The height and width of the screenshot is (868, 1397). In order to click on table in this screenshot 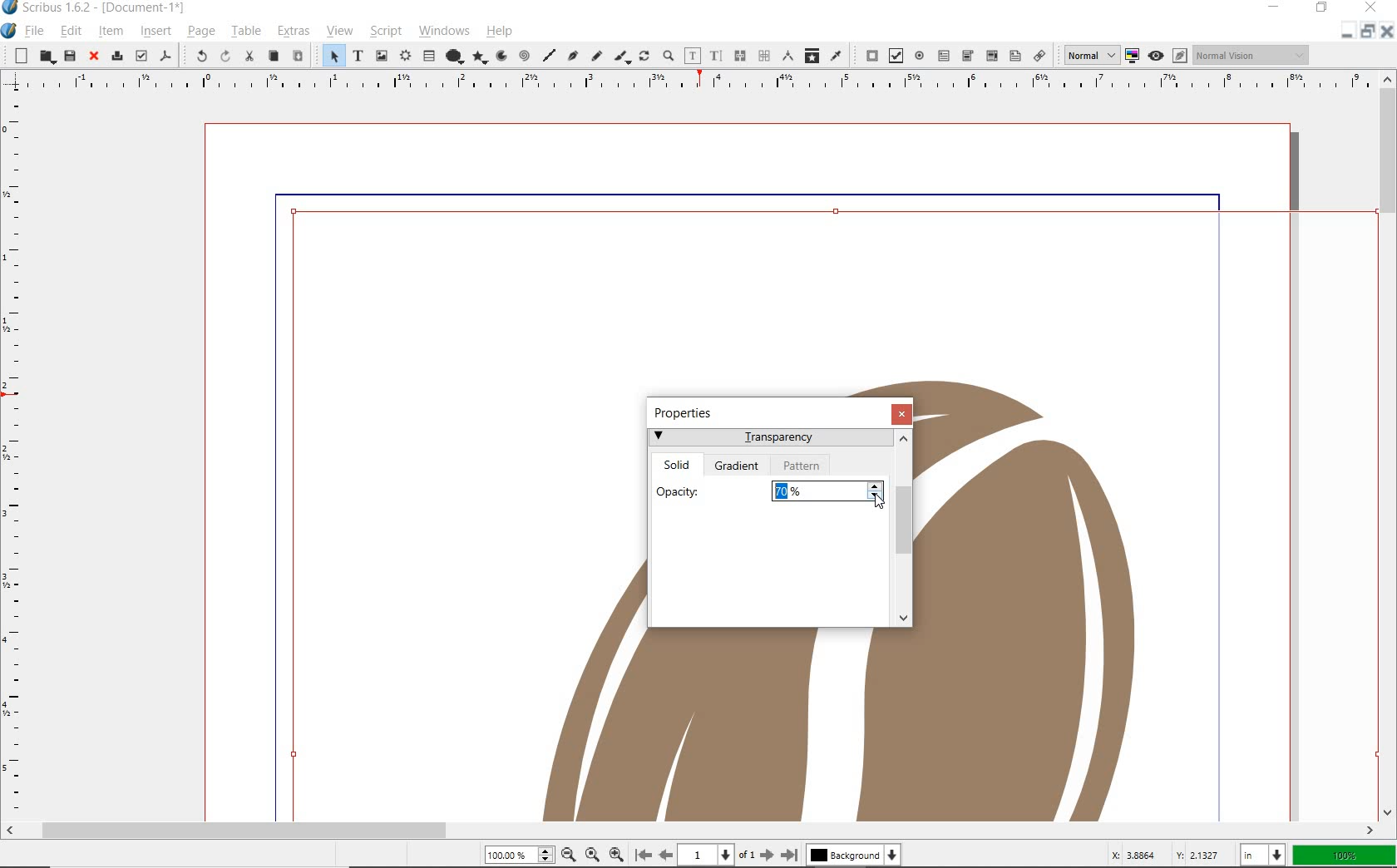, I will do `click(427, 57)`.